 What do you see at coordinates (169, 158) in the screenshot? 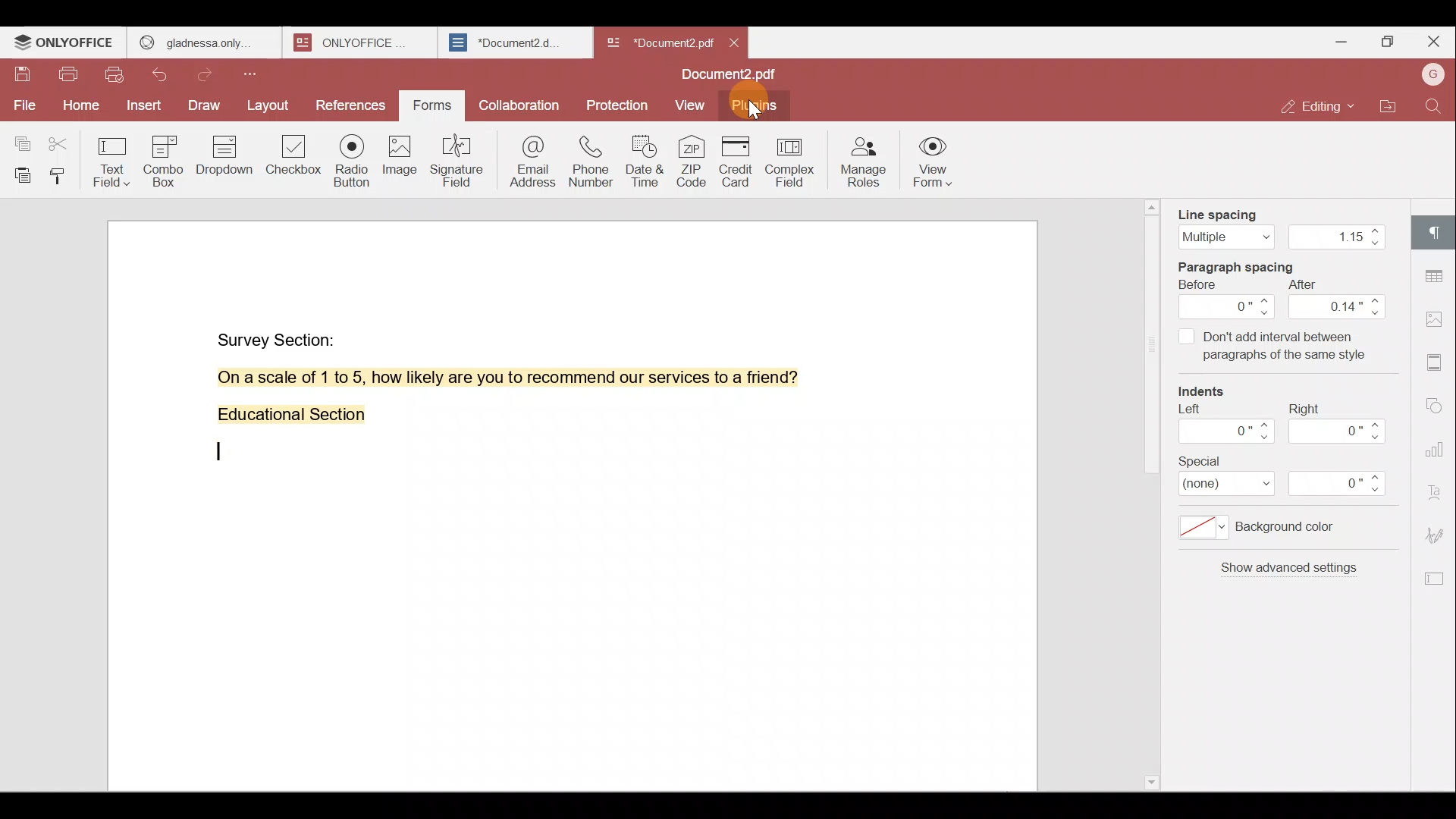
I see `Combo box` at bounding box center [169, 158].